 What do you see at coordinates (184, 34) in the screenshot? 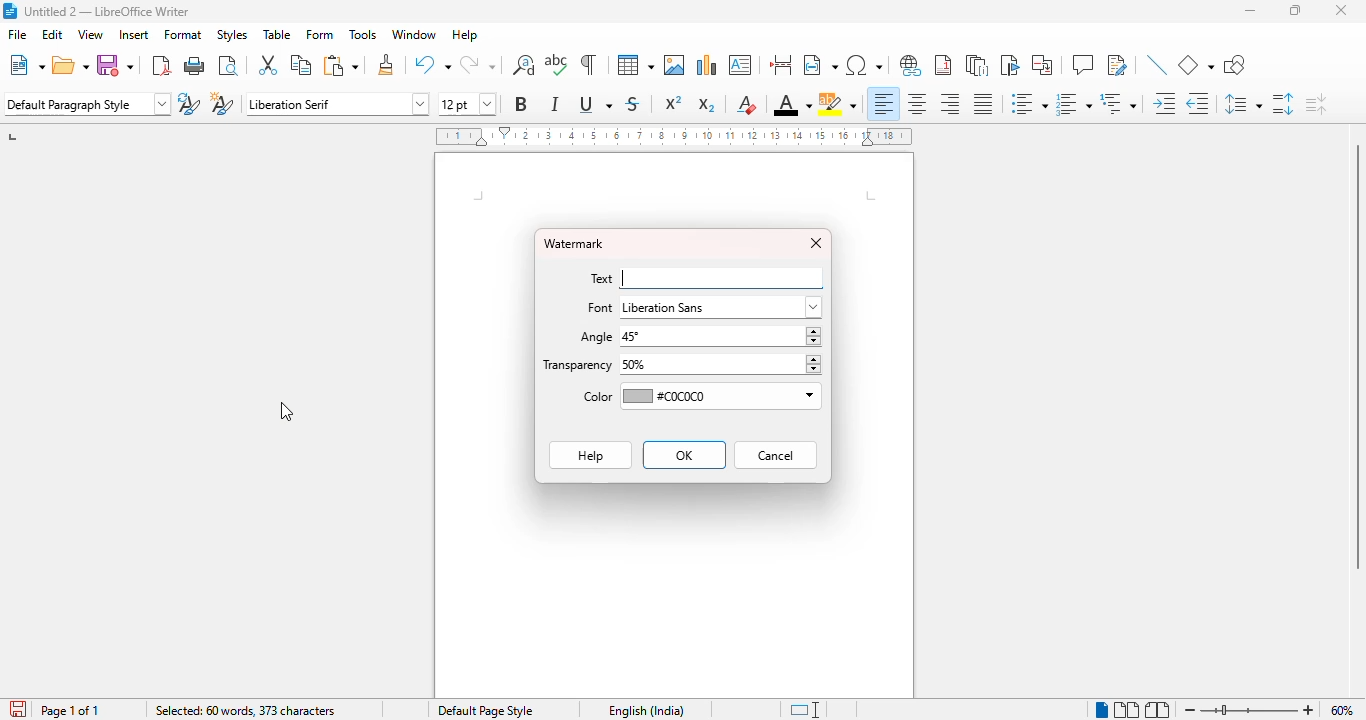
I see `format` at bounding box center [184, 34].